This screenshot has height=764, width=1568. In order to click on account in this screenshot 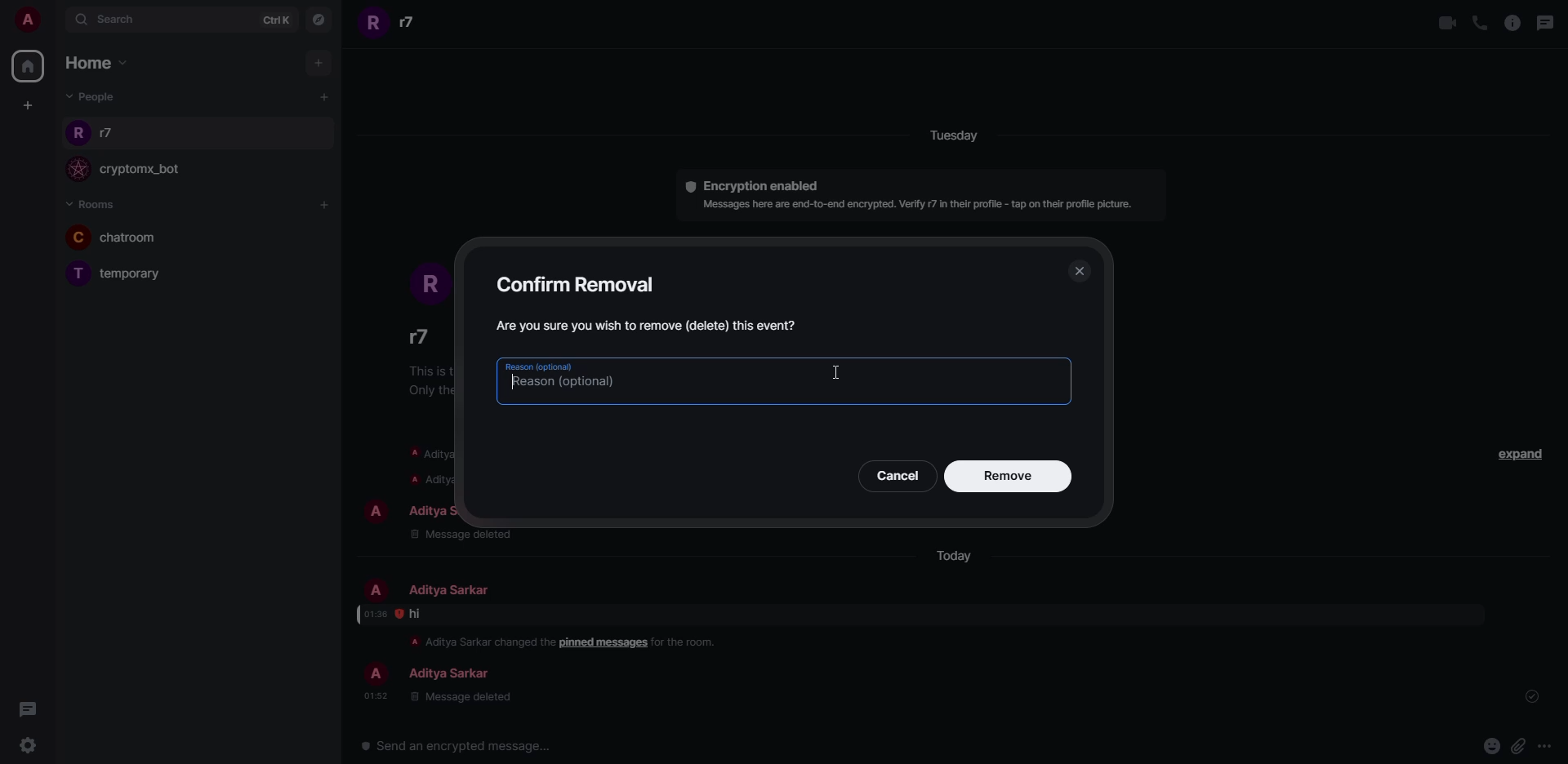, I will do `click(29, 20)`.